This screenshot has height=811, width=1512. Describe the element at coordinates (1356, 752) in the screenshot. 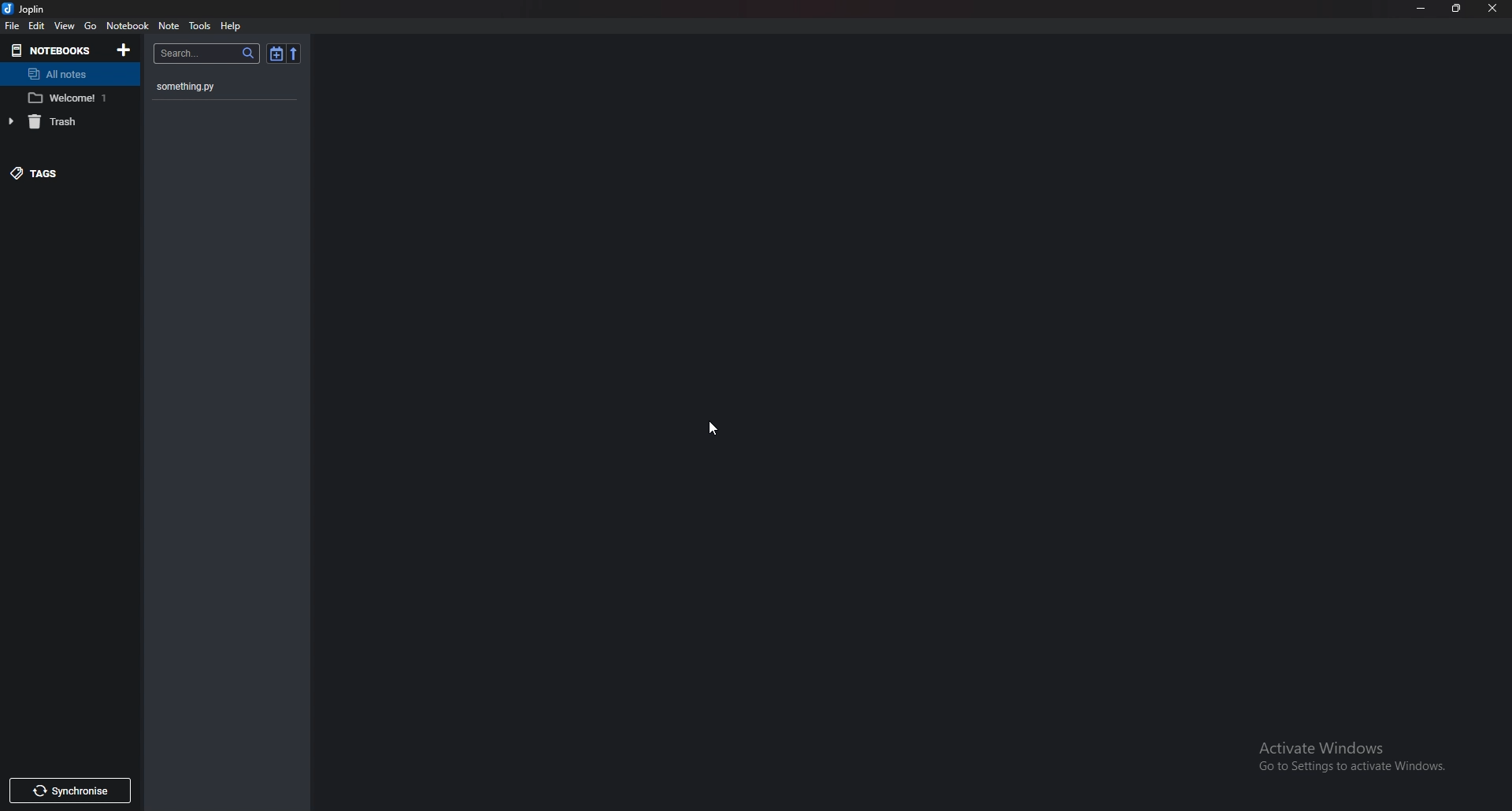

I see `activate windows` at that location.